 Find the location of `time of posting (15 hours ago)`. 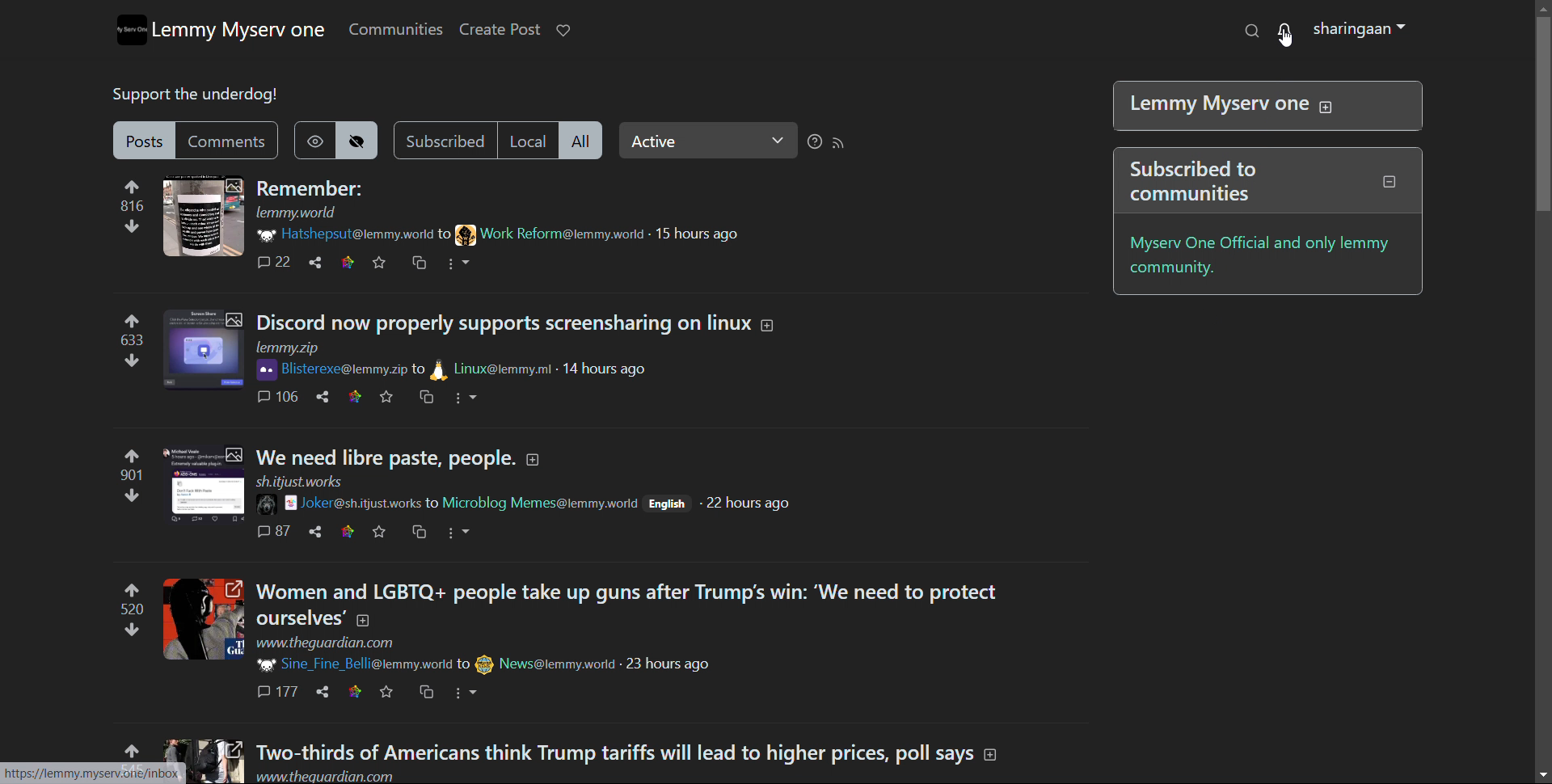

time of posting (15 hours ago) is located at coordinates (699, 234).